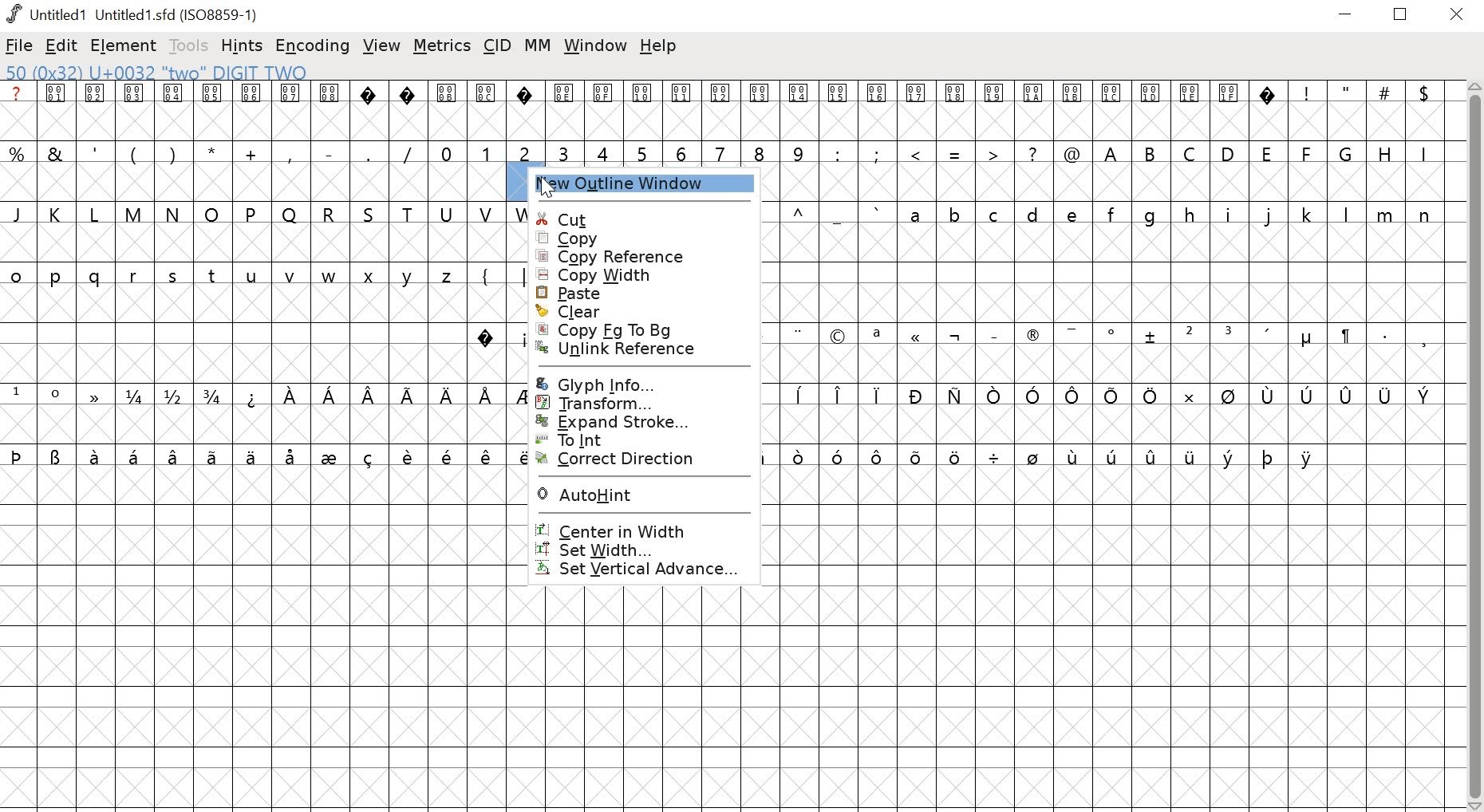 The width and height of the screenshot is (1484, 812). Describe the element at coordinates (1346, 16) in the screenshot. I see `minimize` at that location.